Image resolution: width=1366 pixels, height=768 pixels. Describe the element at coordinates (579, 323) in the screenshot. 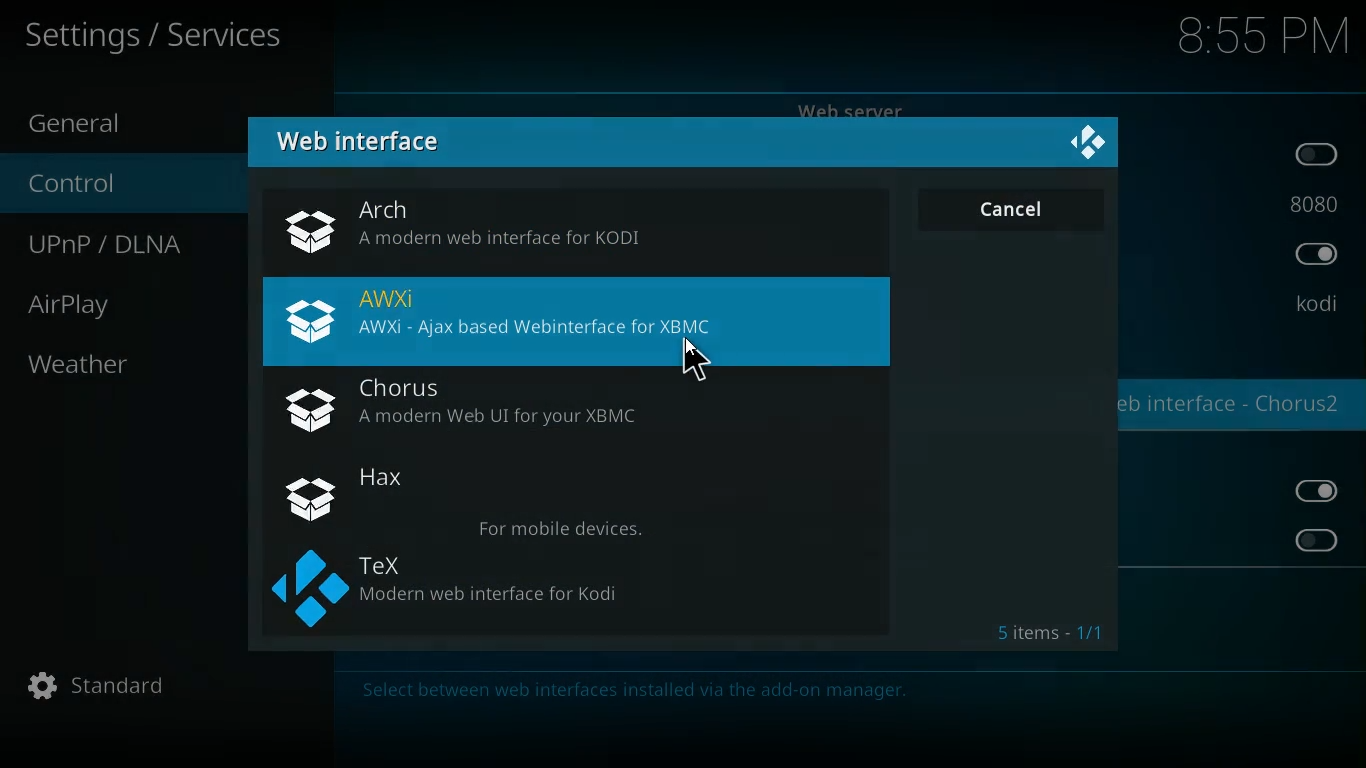

I see `awxi` at that location.